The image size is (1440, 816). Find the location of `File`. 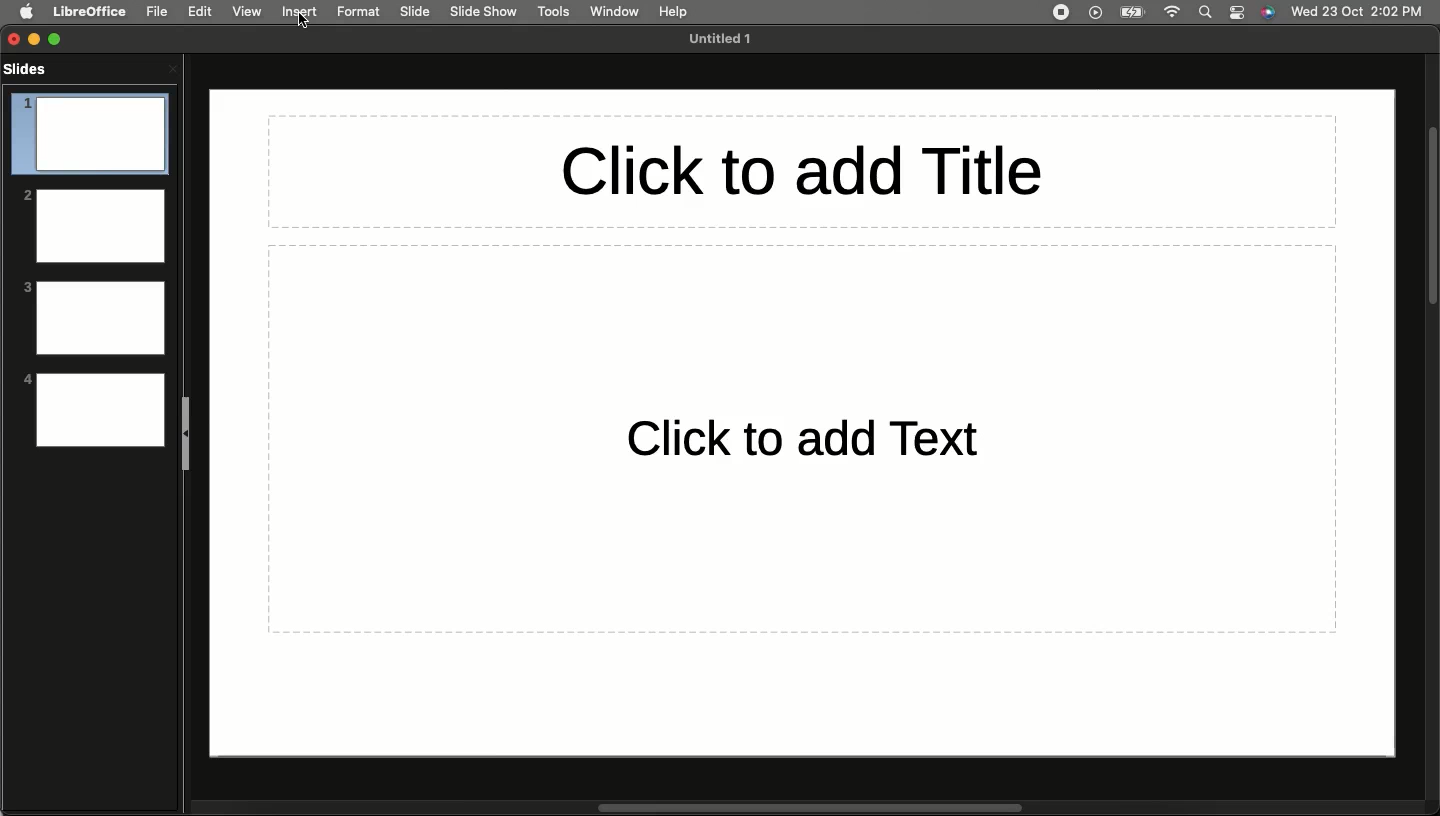

File is located at coordinates (157, 11).